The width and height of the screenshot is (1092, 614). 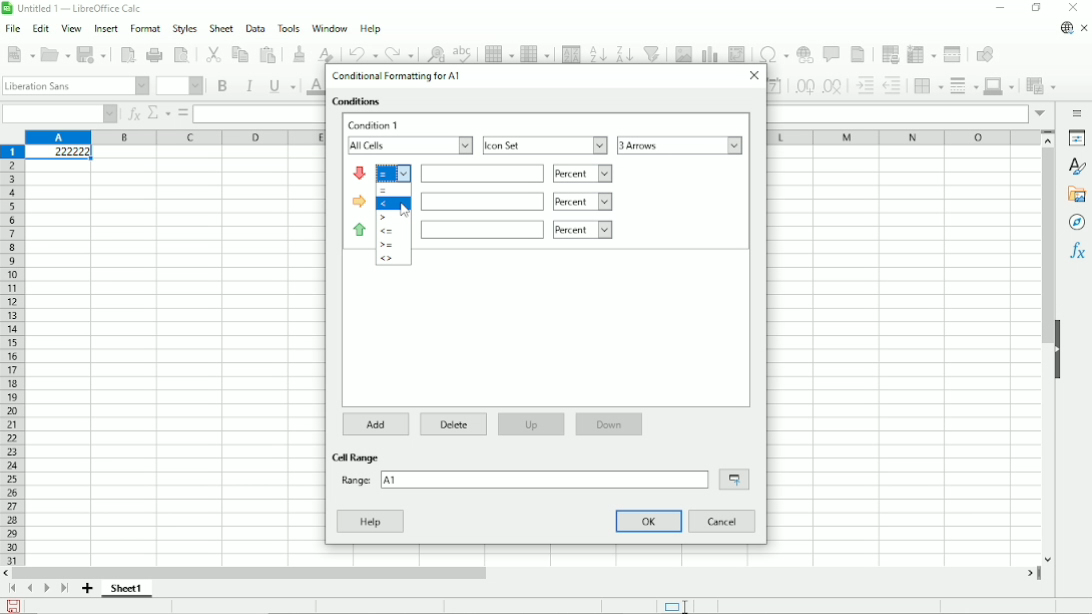 What do you see at coordinates (14, 606) in the screenshot?
I see `save` at bounding box center [14, 606].